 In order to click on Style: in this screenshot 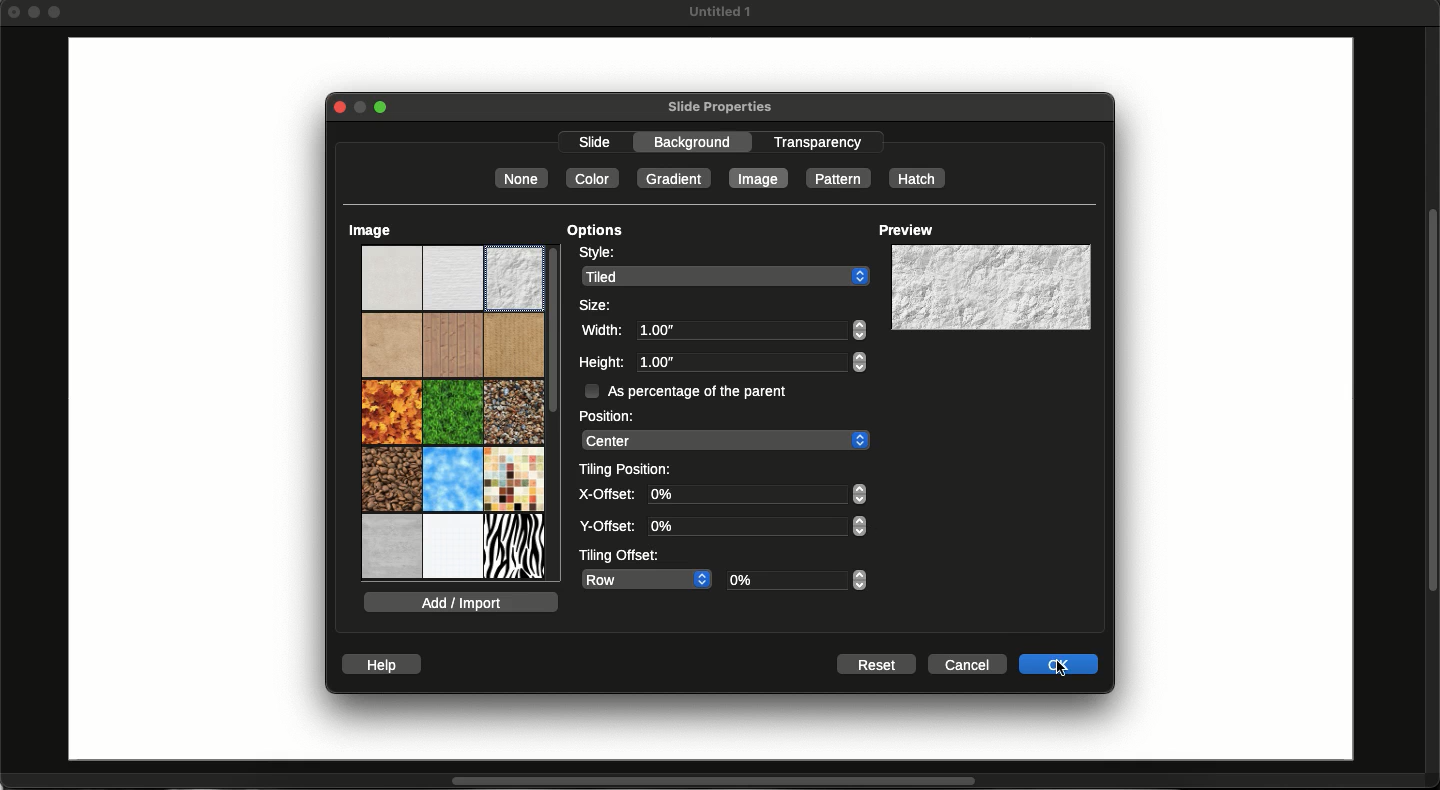, I will do `click(596, 253)`.